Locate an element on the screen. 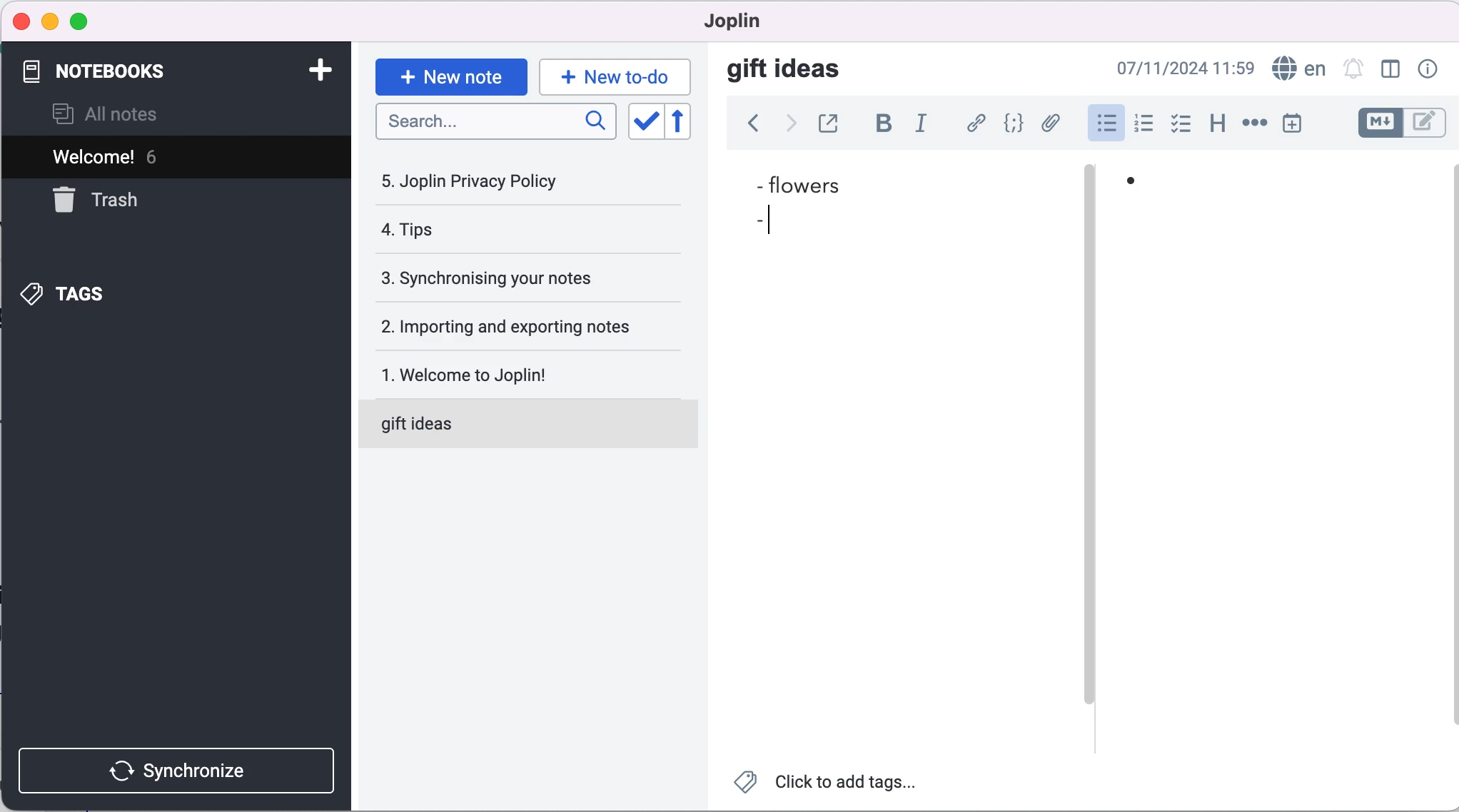  click to add tags is located at coordinates (835, 783).